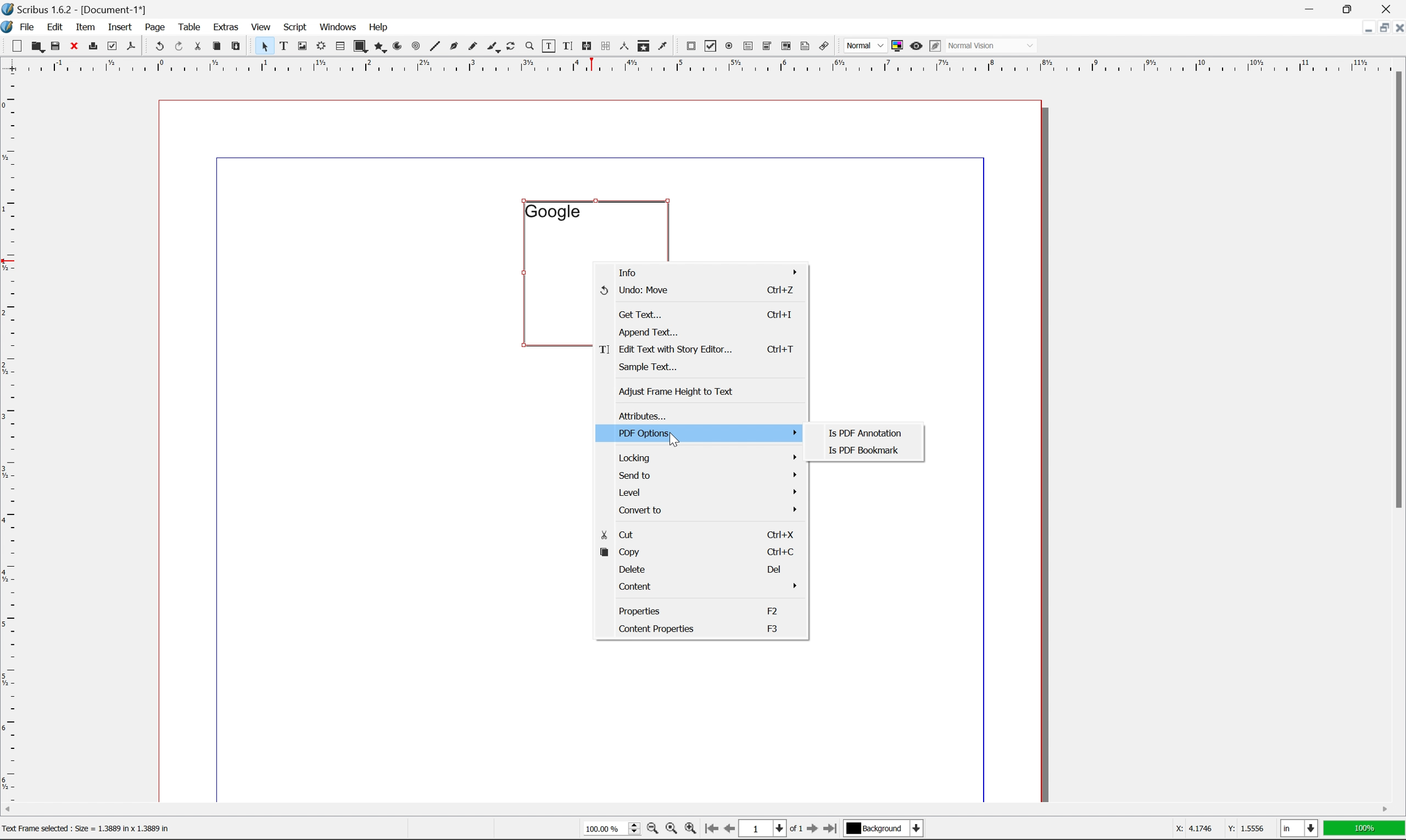 The height and width of the screenshot is (840, 1406). Describe the element at coordinates (726, 46) in the screenshot. I see `pdf radio button` at that location.